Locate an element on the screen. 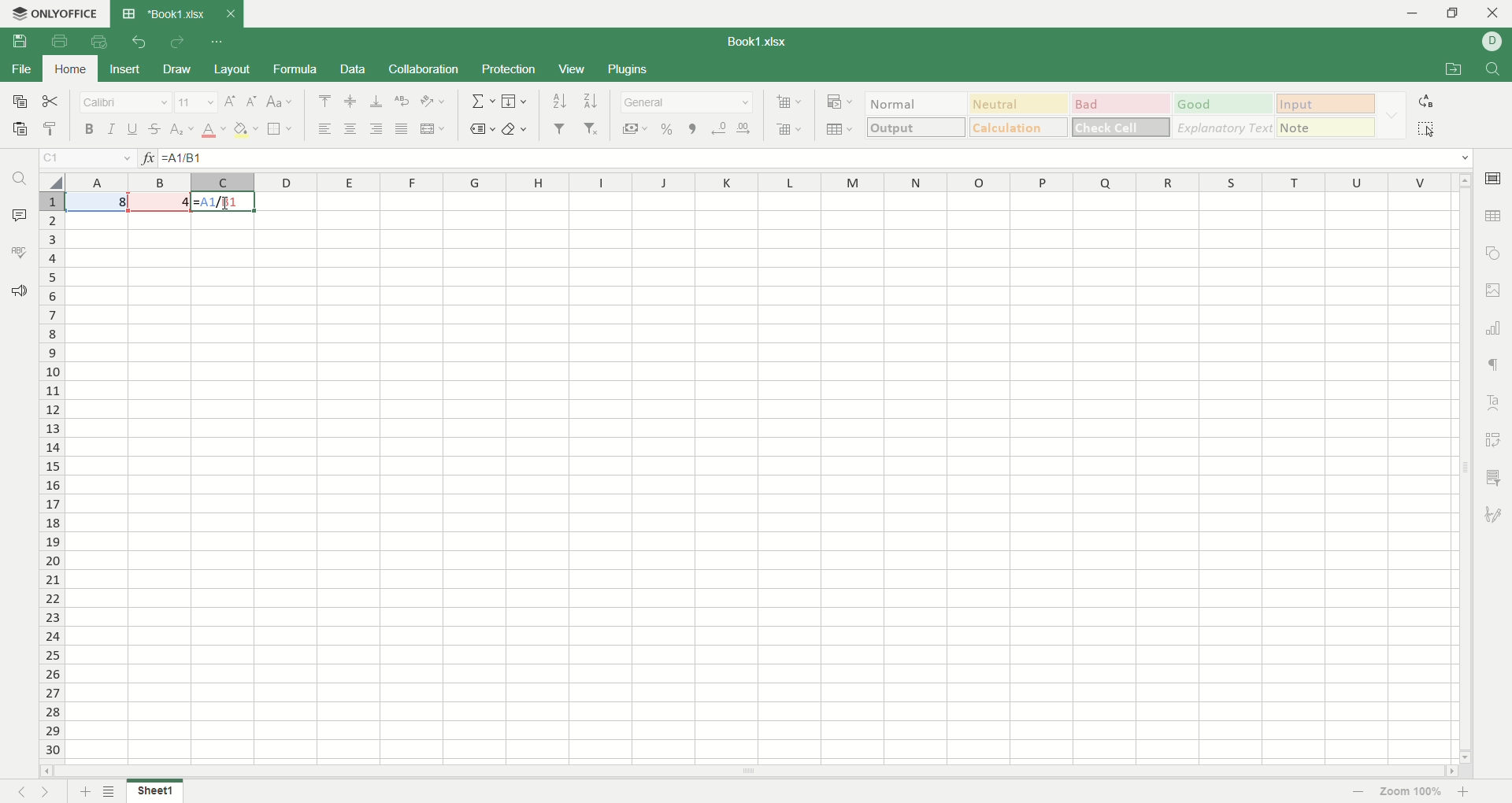 The width and height of the screenshot is (1512, 803). onlyoffice is located at coordinates (53, 13).